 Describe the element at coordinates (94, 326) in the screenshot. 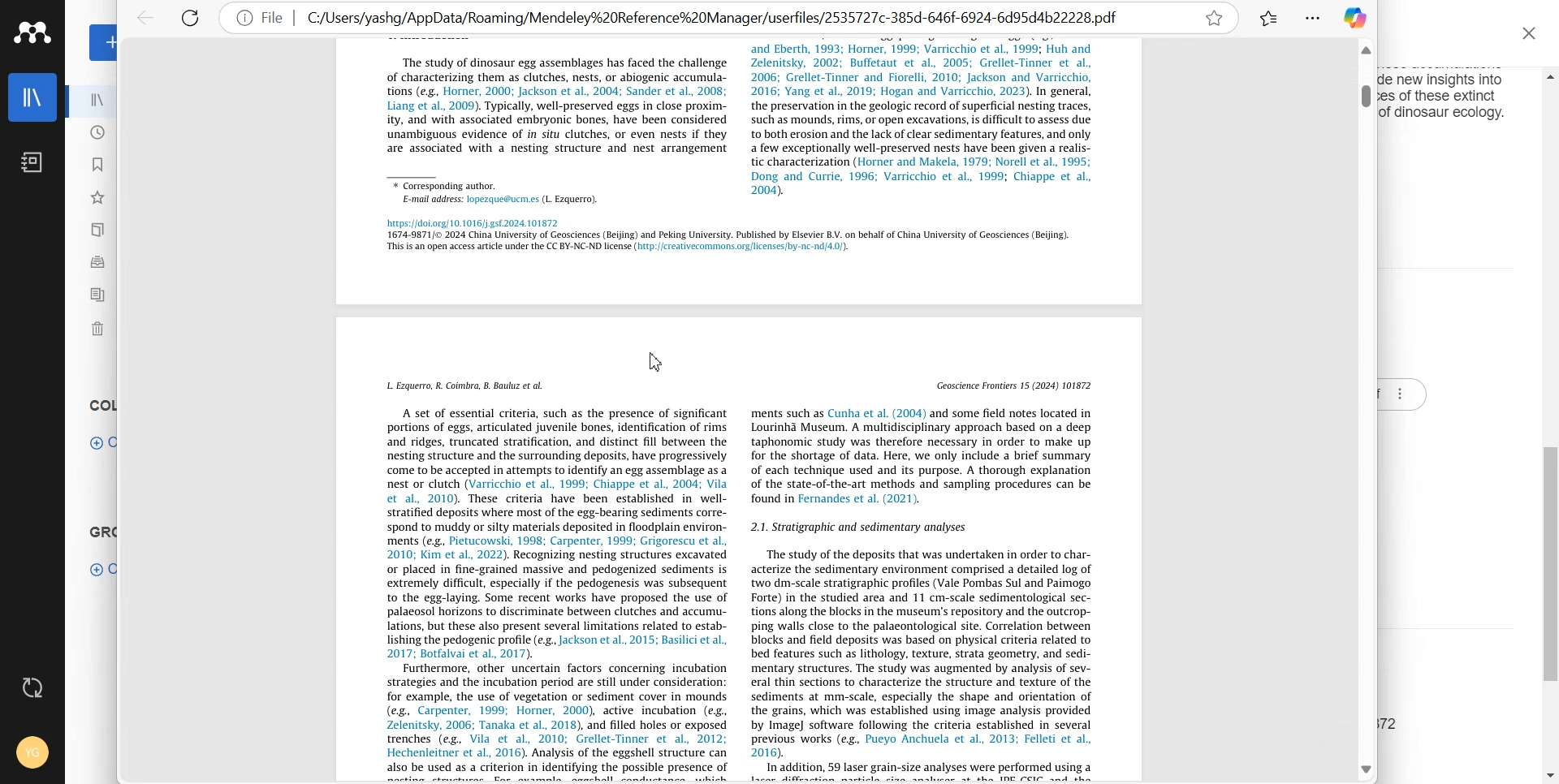

I see `Trash` at that location.